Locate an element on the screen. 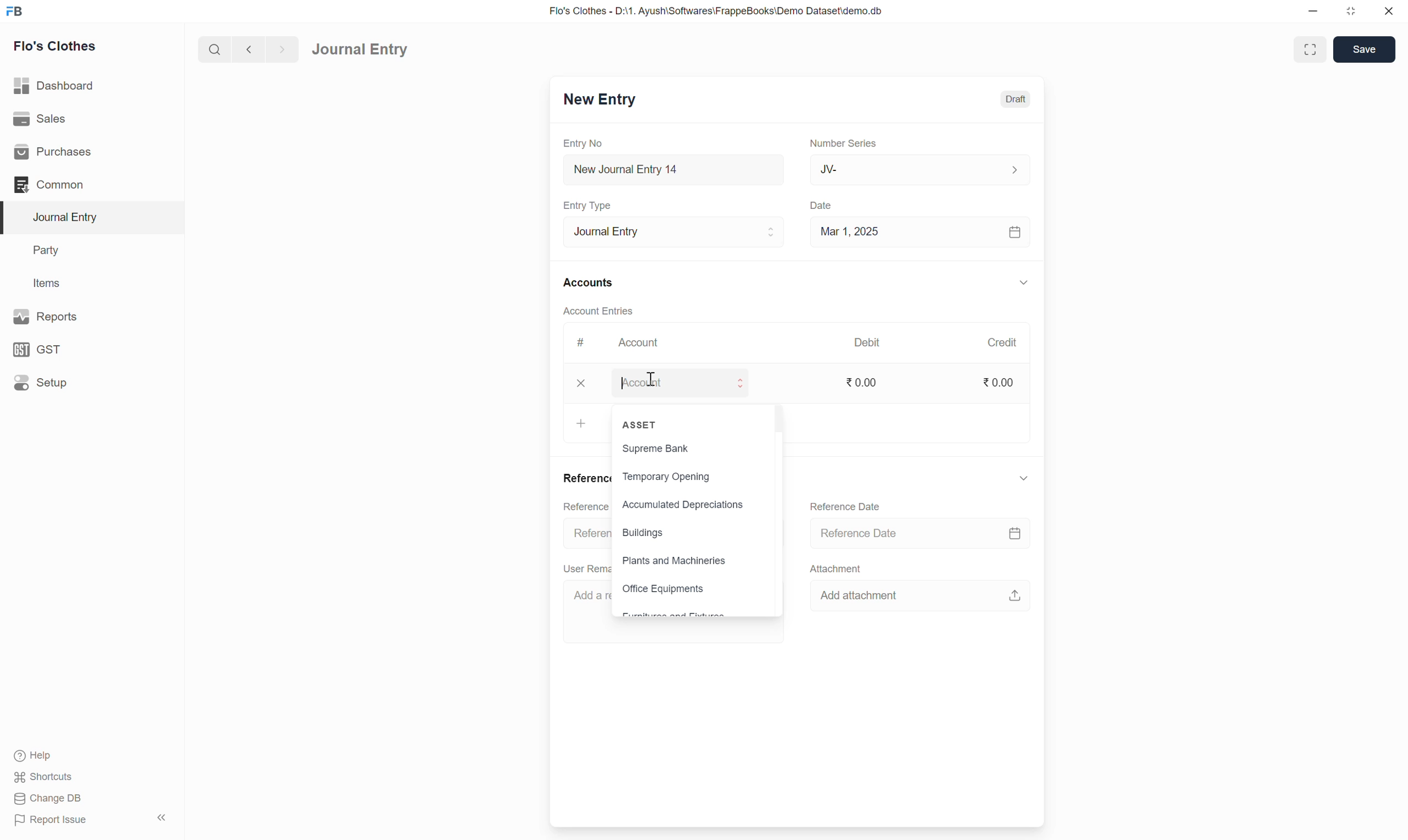 The image size is (1408, 840). + is located at coordinates (582, 422).